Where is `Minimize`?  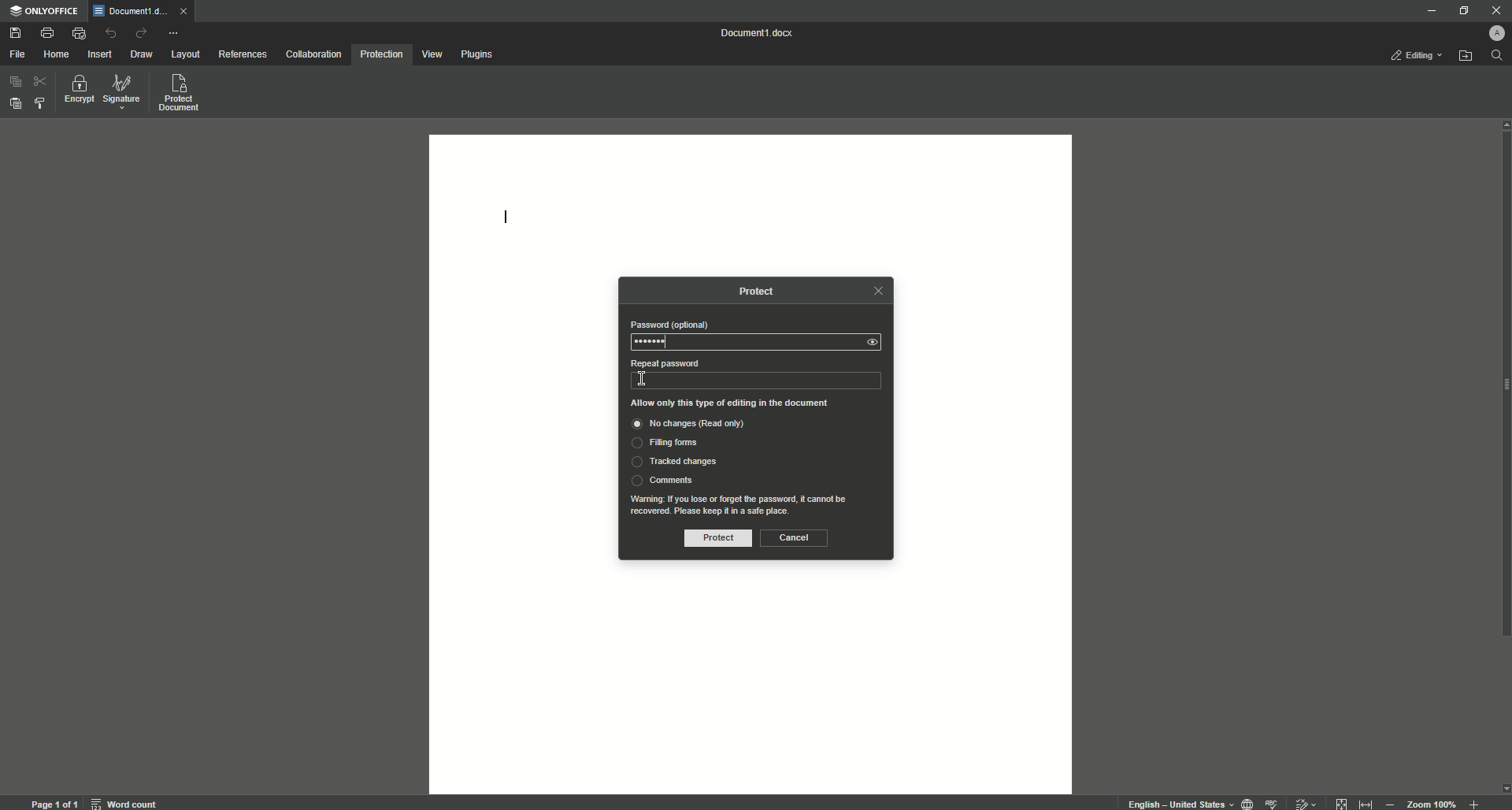
Minimize is located at coordinates (1429, 12).